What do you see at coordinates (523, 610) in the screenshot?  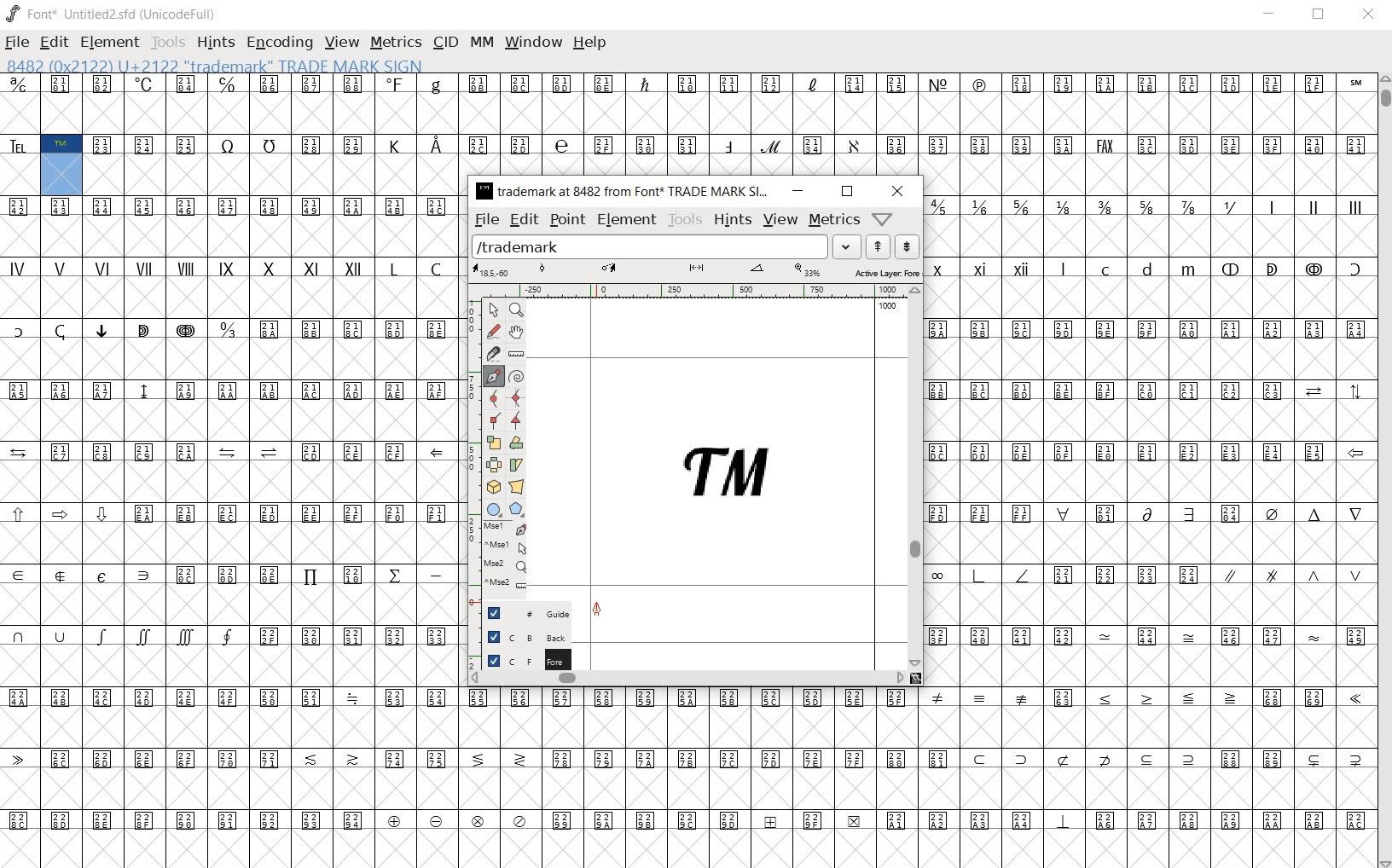 I see `Guide` at bounding box center [523, 610].